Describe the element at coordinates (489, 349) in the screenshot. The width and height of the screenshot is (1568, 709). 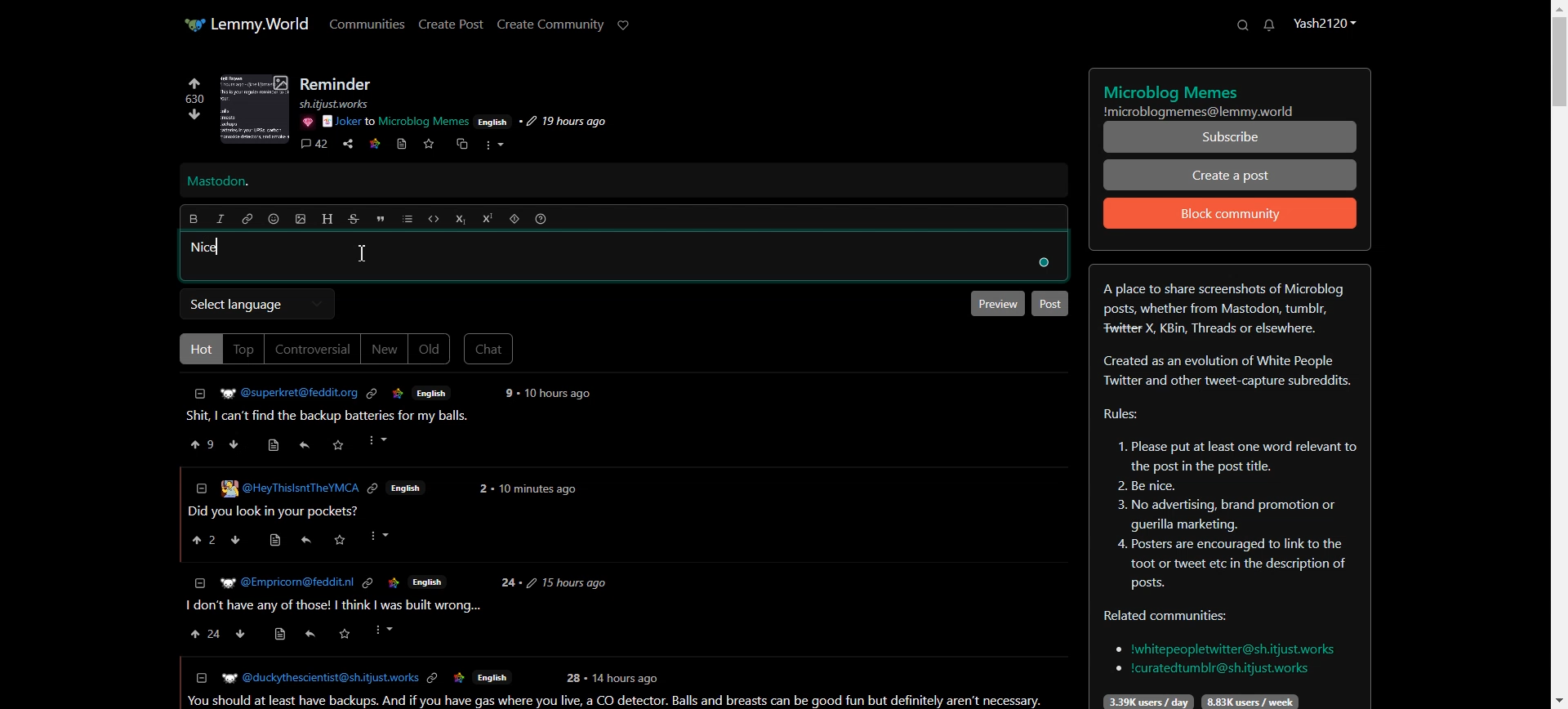
I see `Chat` at that location.